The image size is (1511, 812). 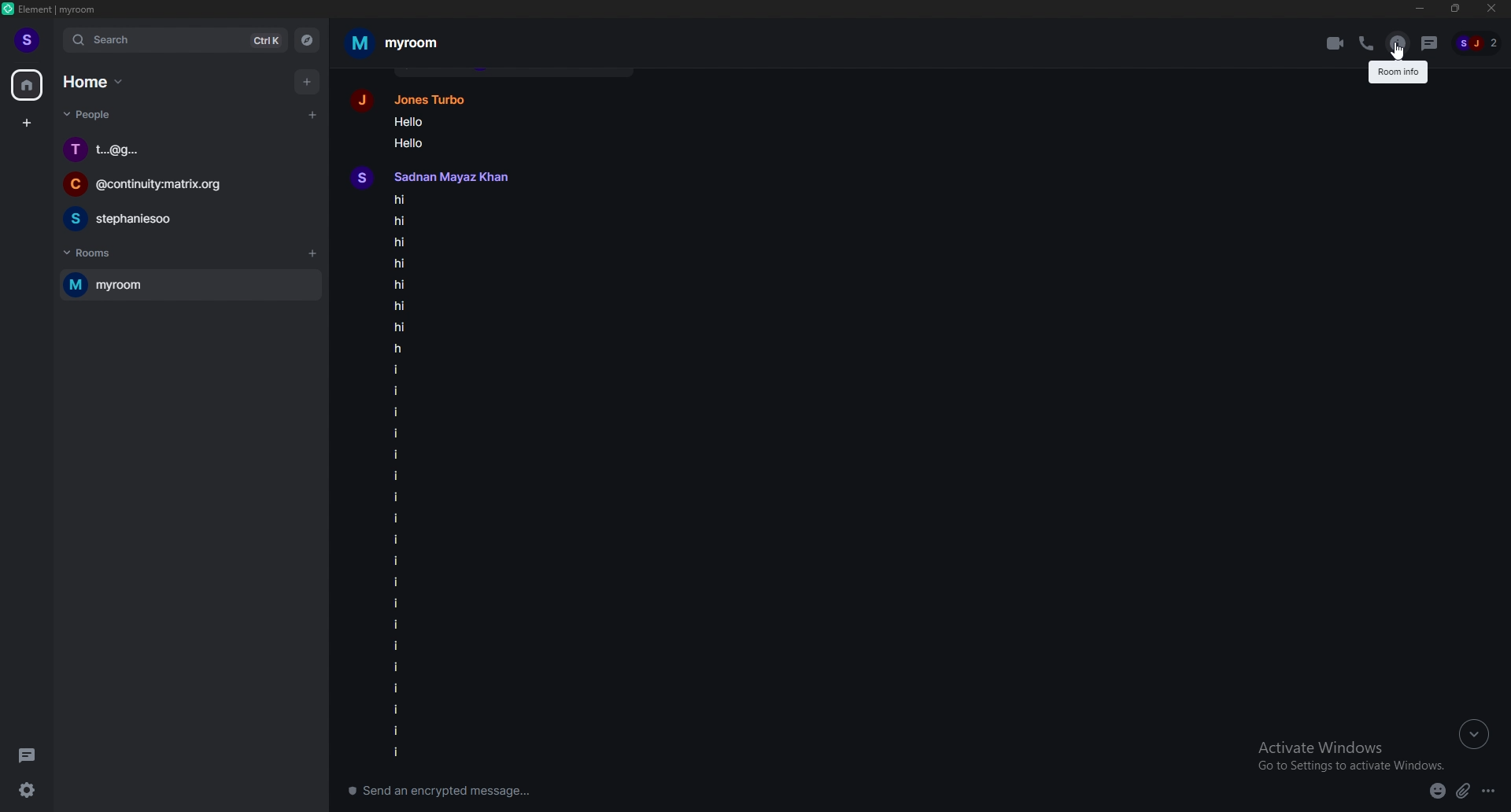 What do you see at coordinates (177, 39) in the screenshot?
I see `search` at bounding box center [177, 39].